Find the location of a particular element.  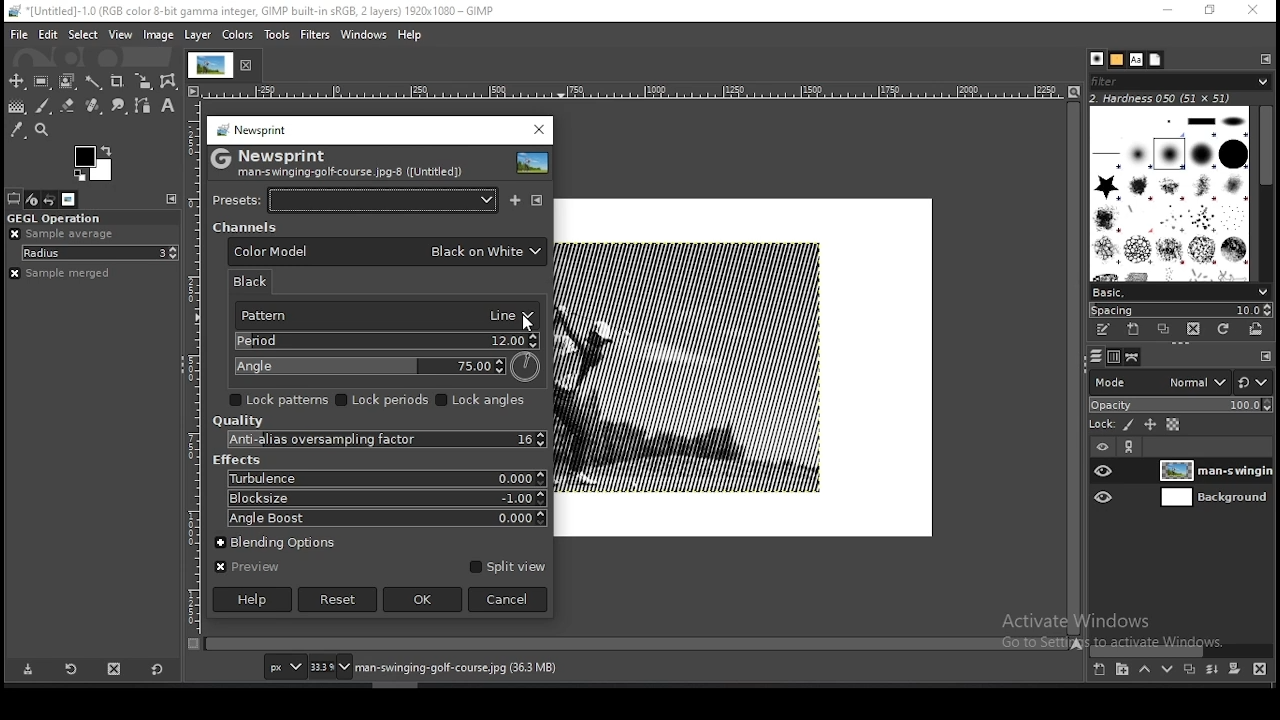

sample merged is located at coordinates (79, 275).